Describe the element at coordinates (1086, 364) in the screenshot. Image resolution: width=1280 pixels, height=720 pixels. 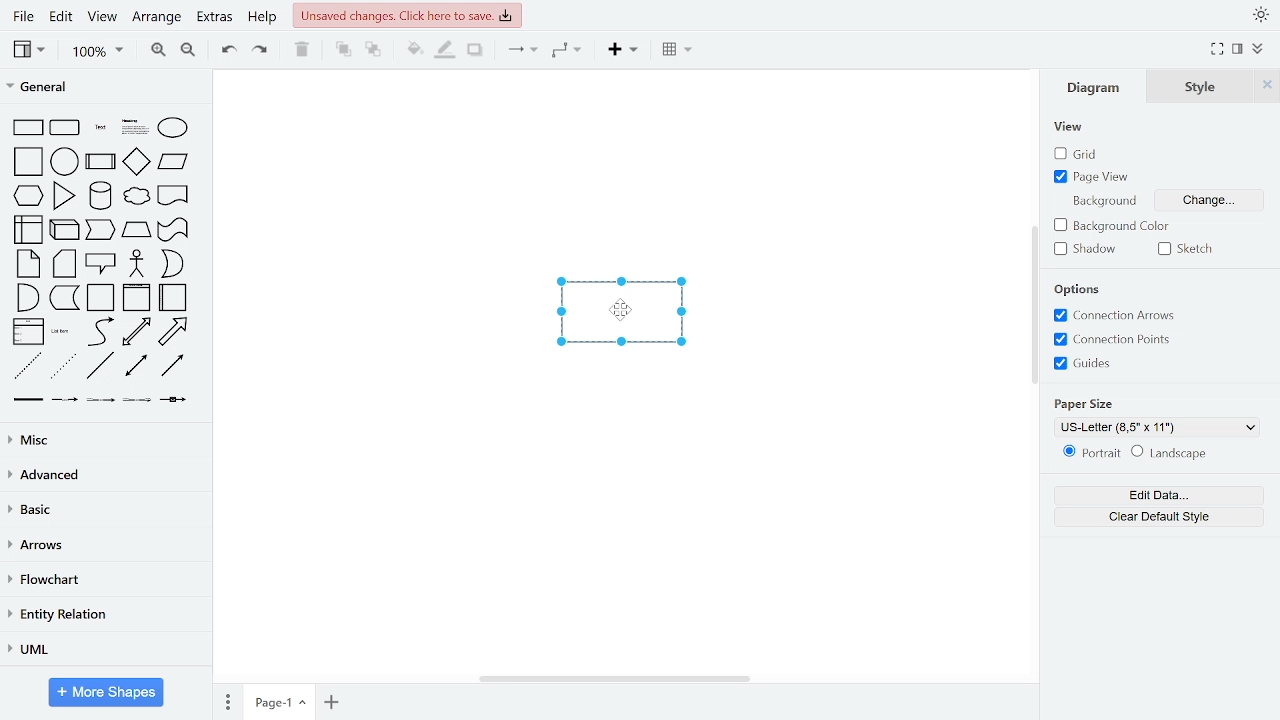
I see `guides` at that location.